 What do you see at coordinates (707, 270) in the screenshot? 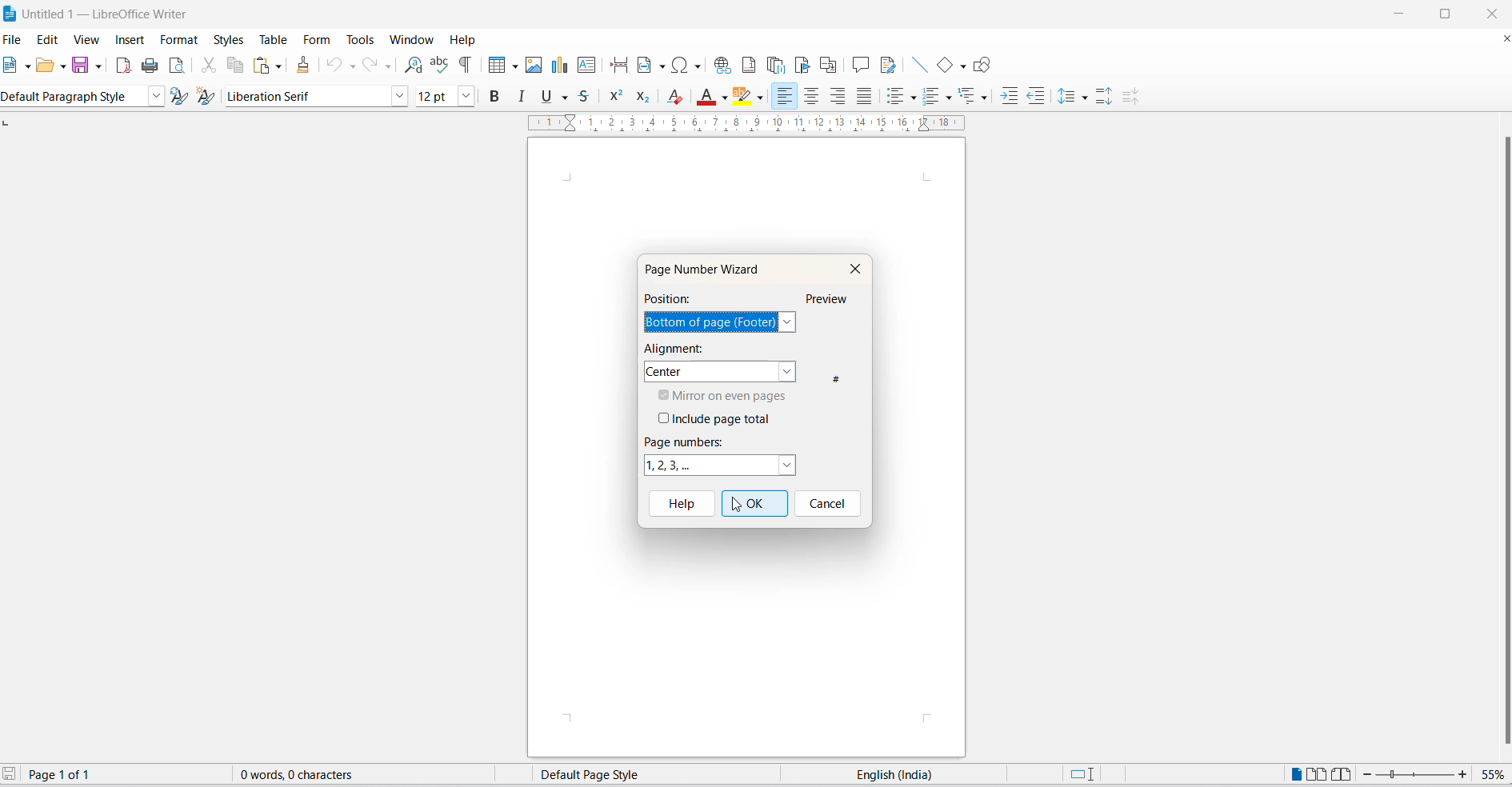
I see `page number dialog box` at bounding box center [707, 270].